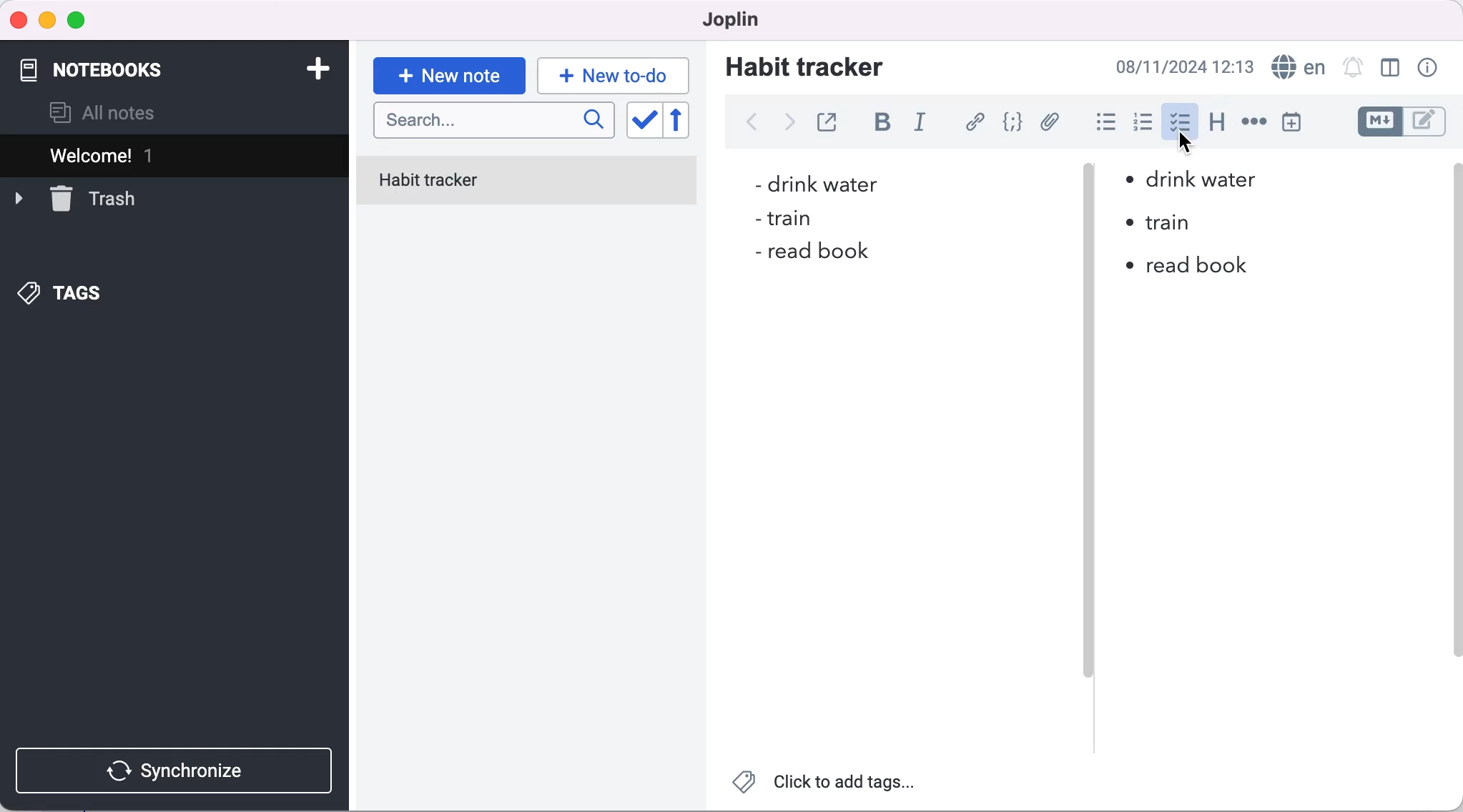 This screenshot has width=1463, height=812. I want to click on minimize, so click(46, 21).